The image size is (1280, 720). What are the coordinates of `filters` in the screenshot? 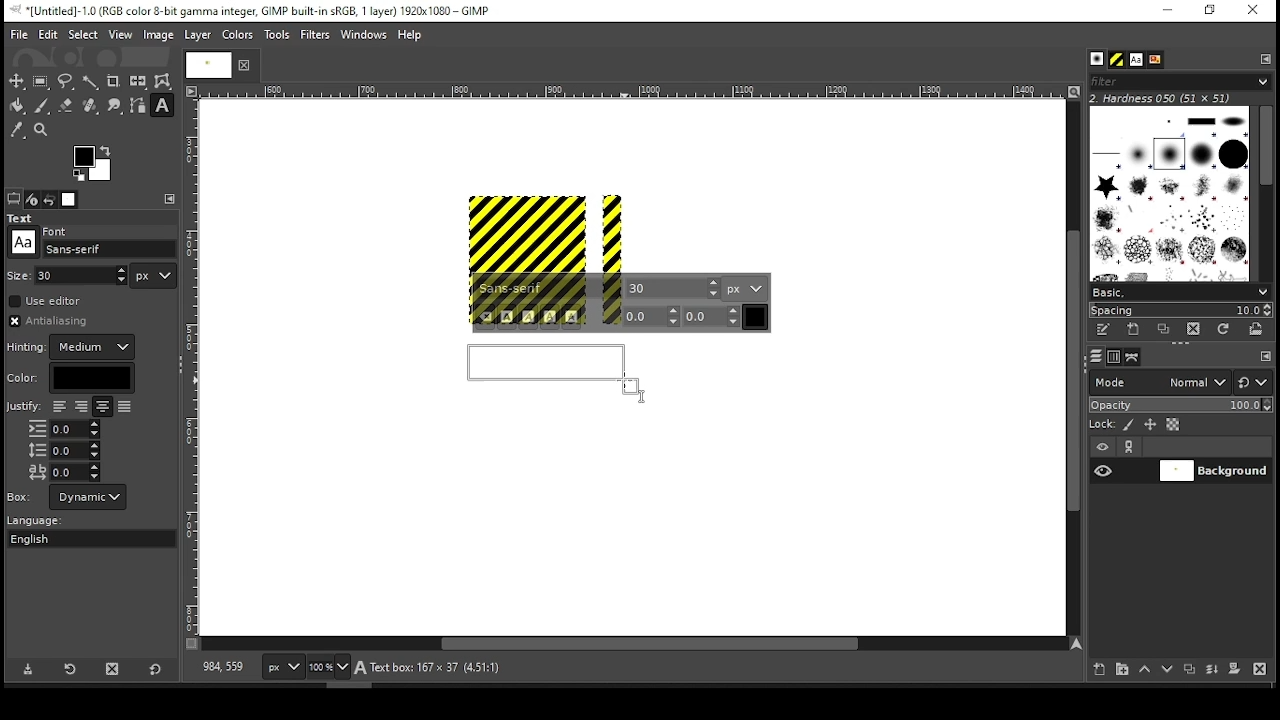 It's located at (318, 35).